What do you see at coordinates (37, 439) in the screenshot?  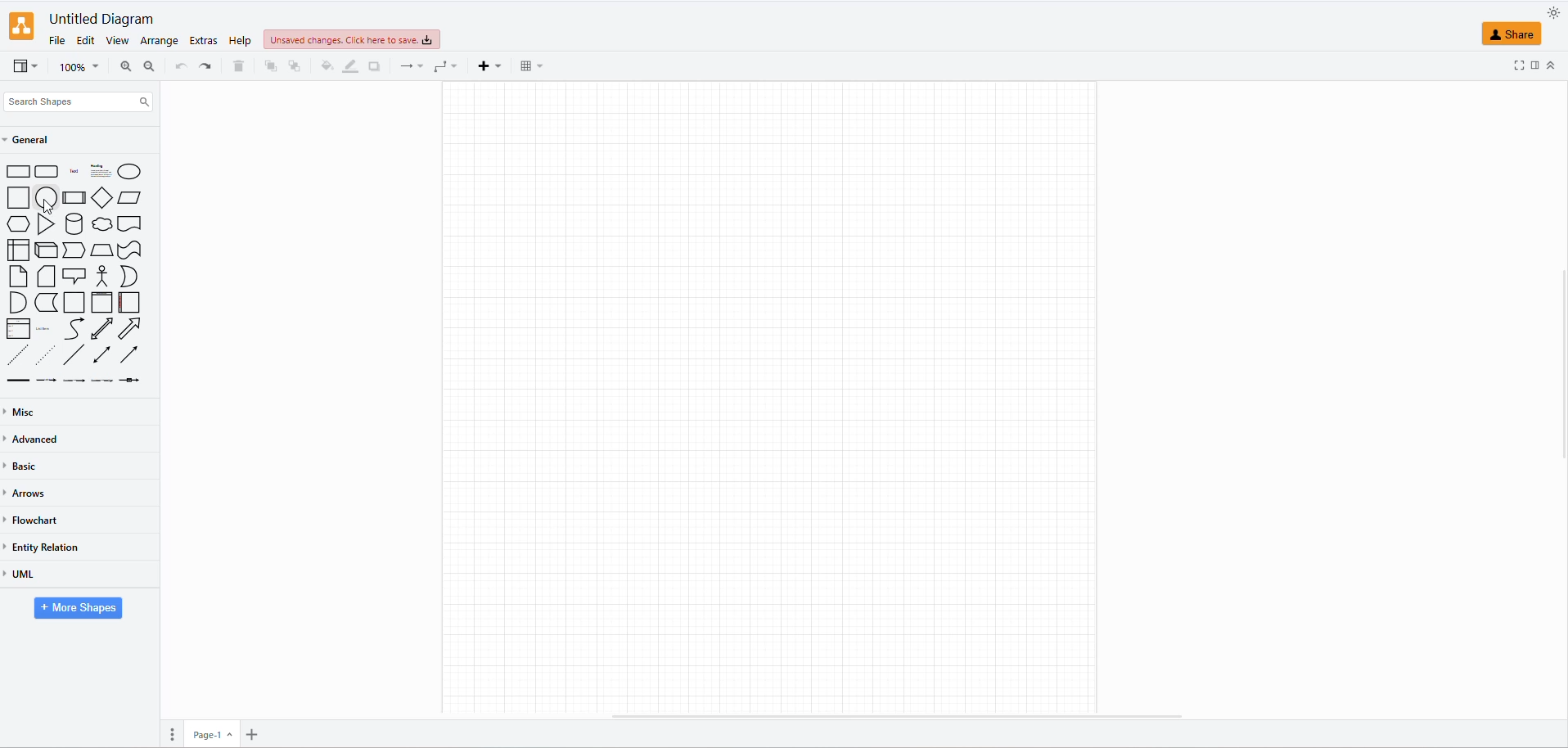 I see `ADVANCED` at bounding box center [37, 439].